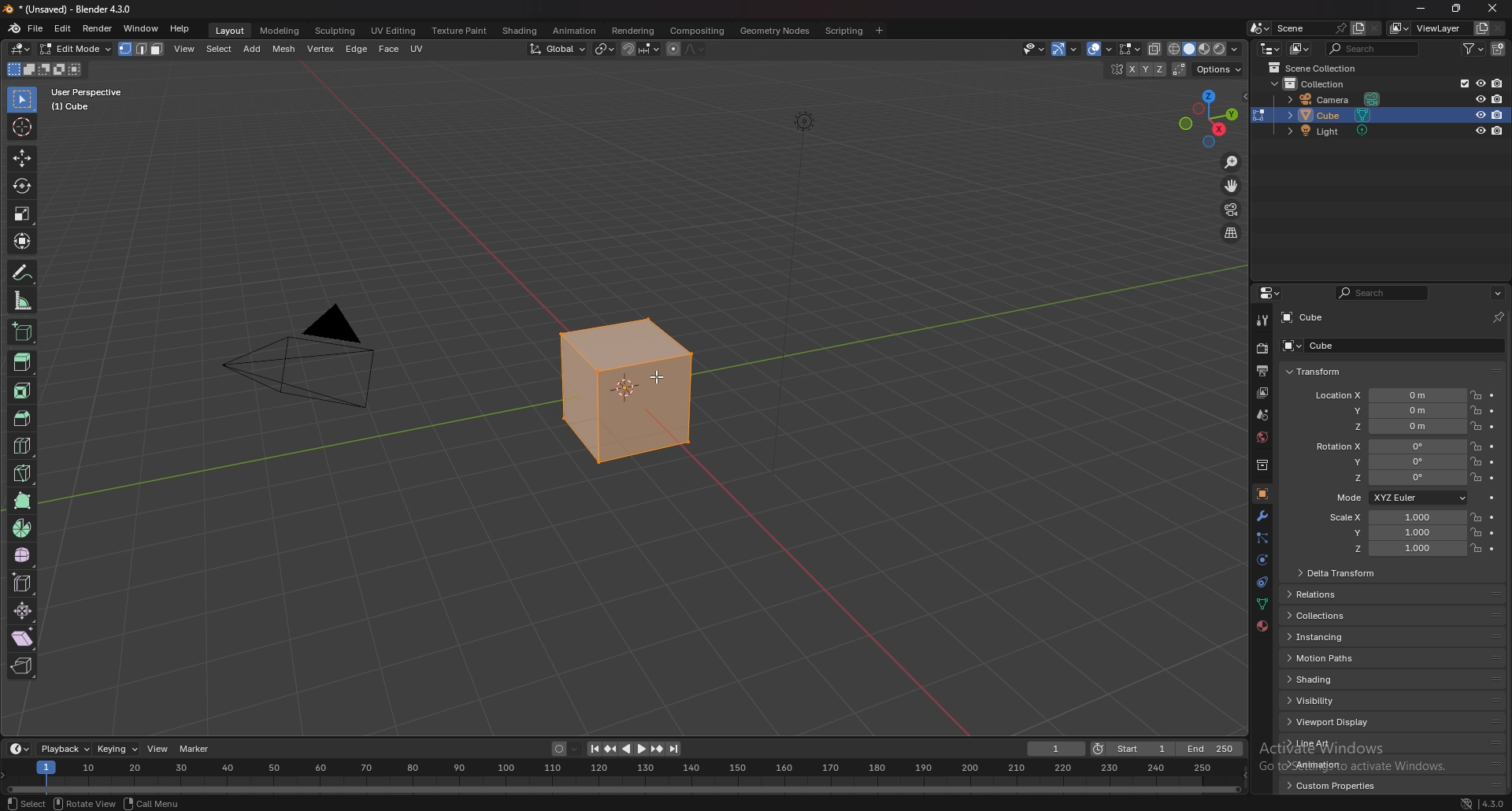 This screenshot has height=811, width=1512. I want to click on vertex, so click(319, 48).